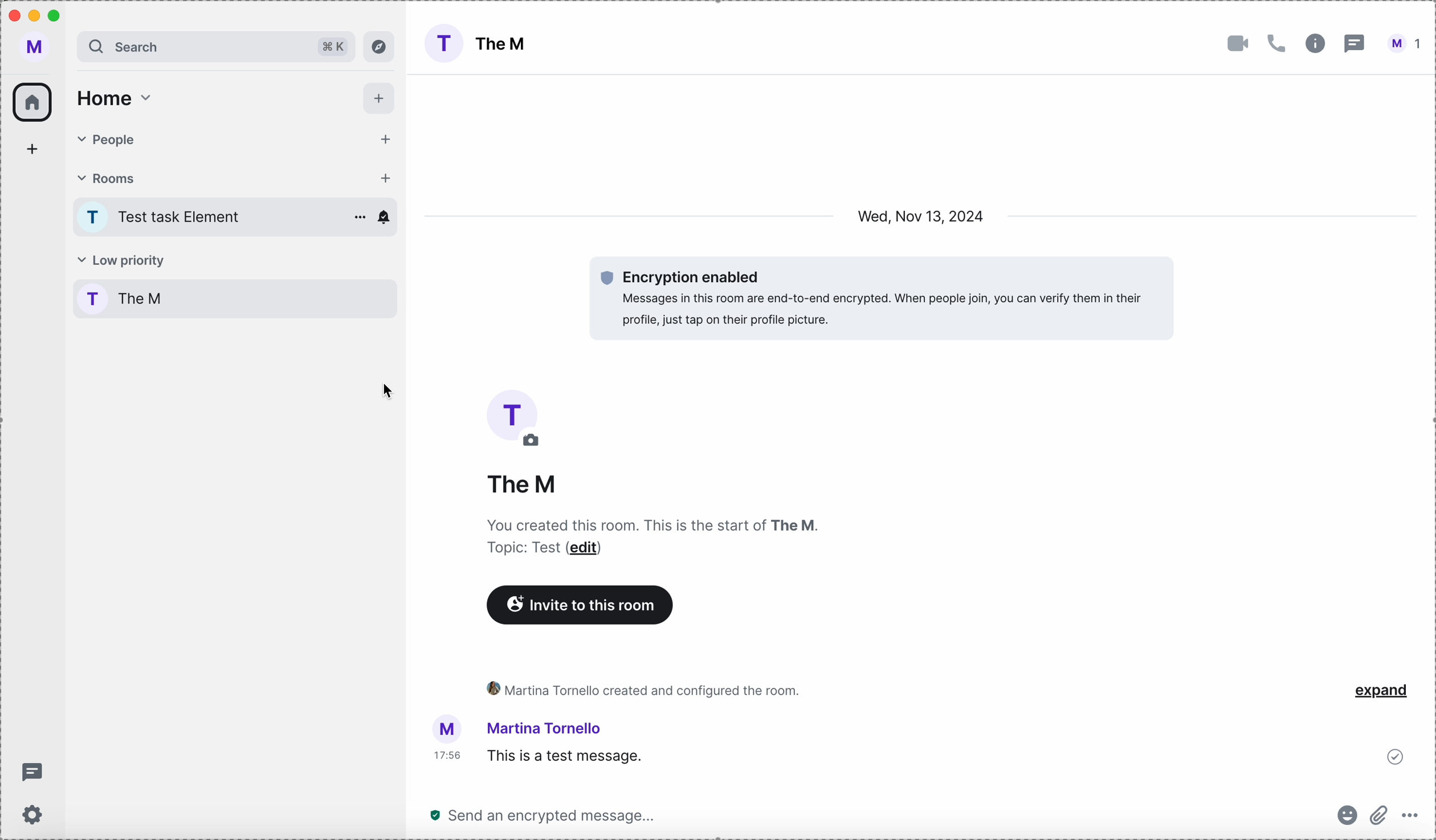 This screenshot has height=840, width=1436. Describe the element at coordinates (514, 551) in the screenshot. I see `text` at that location.